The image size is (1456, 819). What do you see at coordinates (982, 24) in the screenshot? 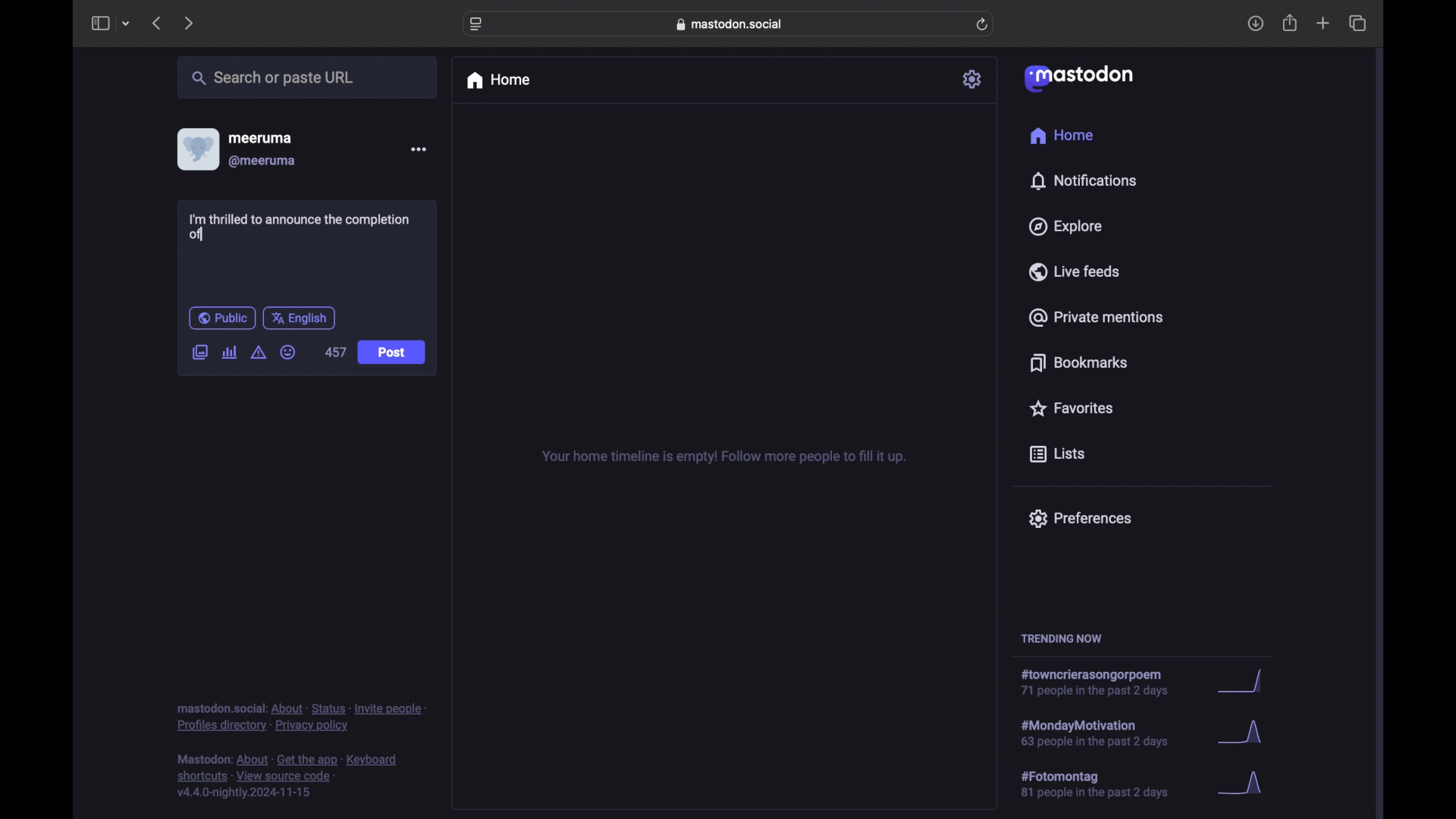
I see `refresh` at bounding box center [982, 24].